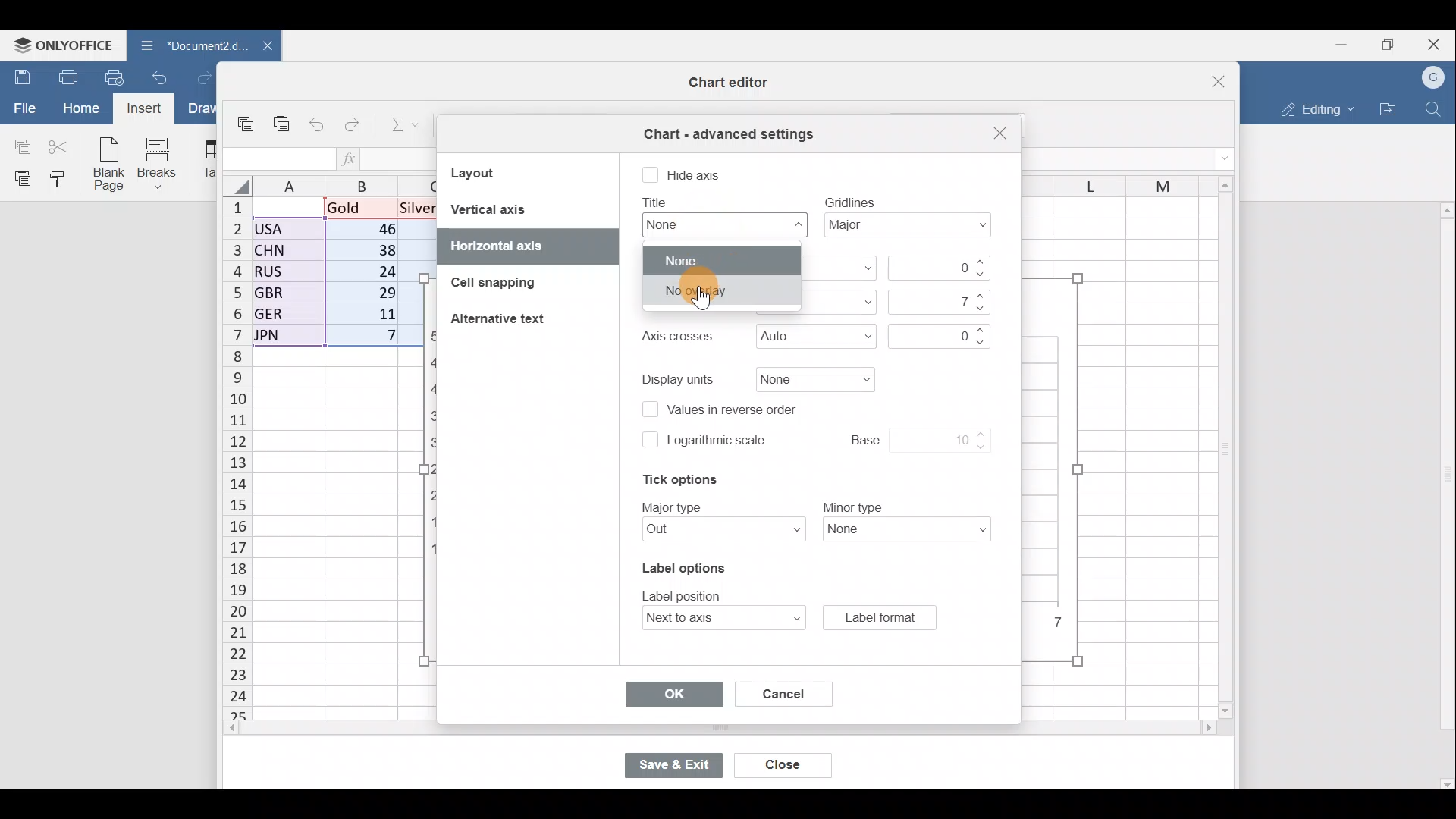  Describe the element at coordinates (202, 109) in the screenshot. I see `Draw` at that location.